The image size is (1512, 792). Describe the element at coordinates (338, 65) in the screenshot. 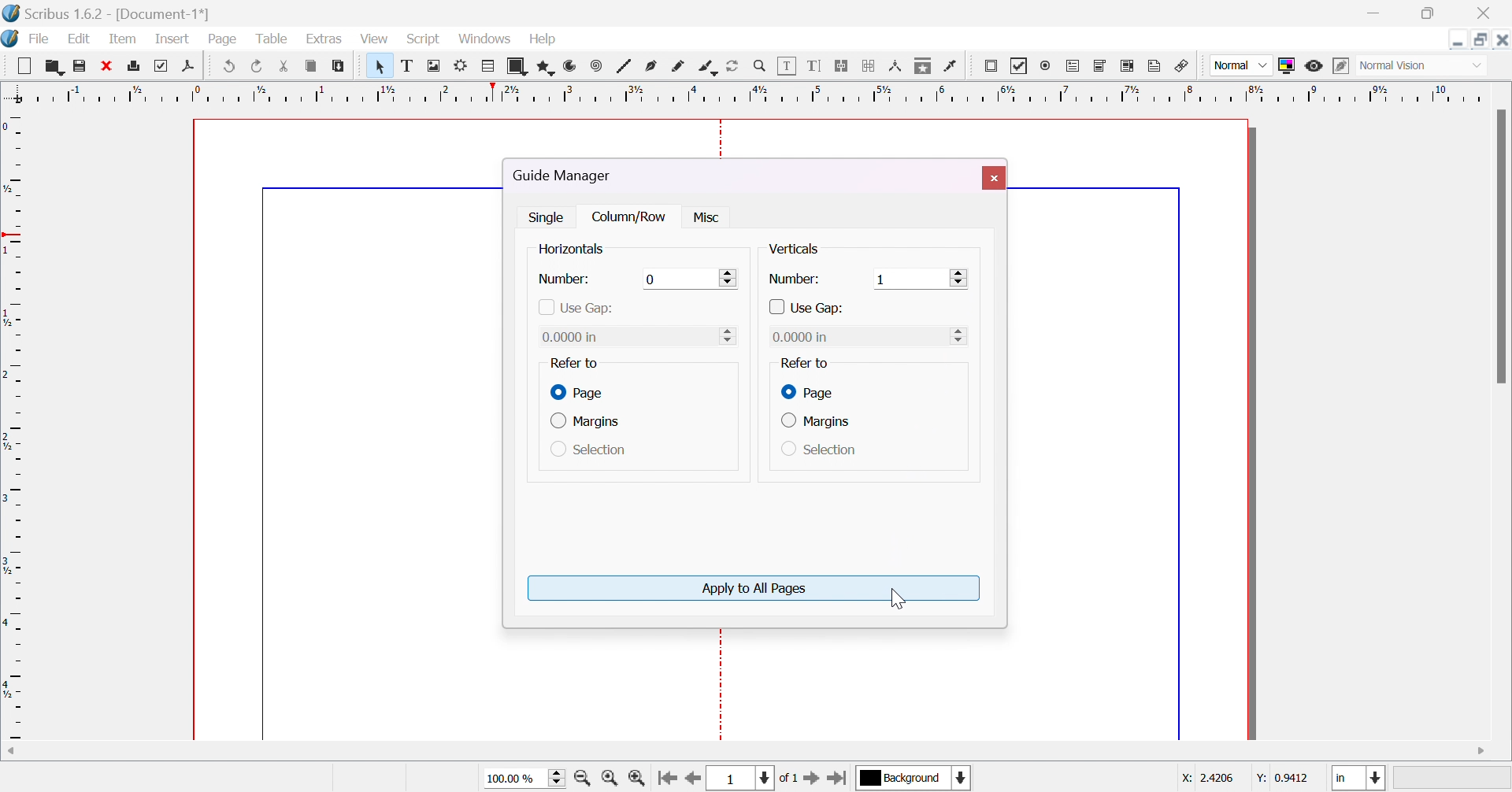

I see `paste` at that location.